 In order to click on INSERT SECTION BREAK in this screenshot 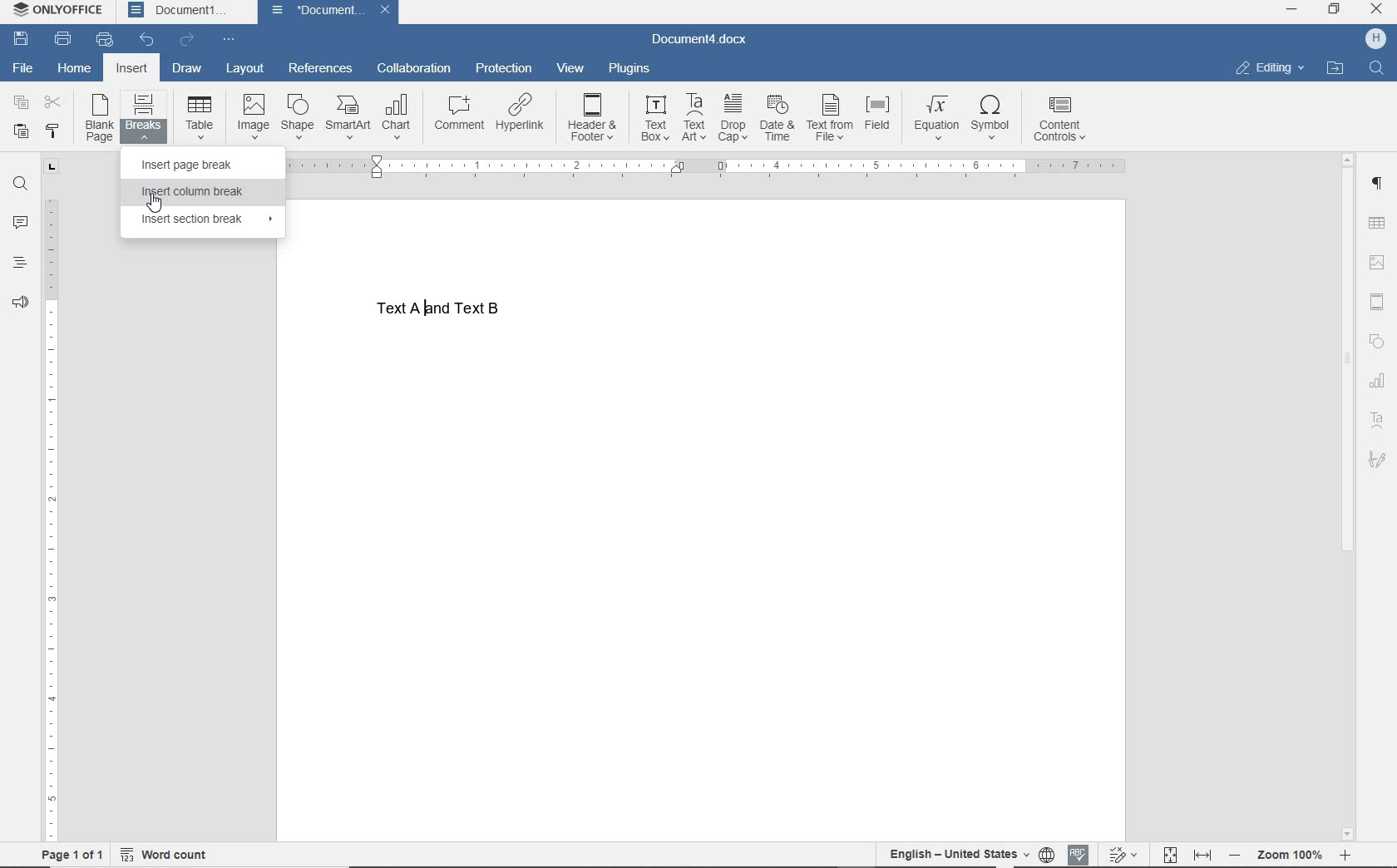, I will do `click(205, 219)`.